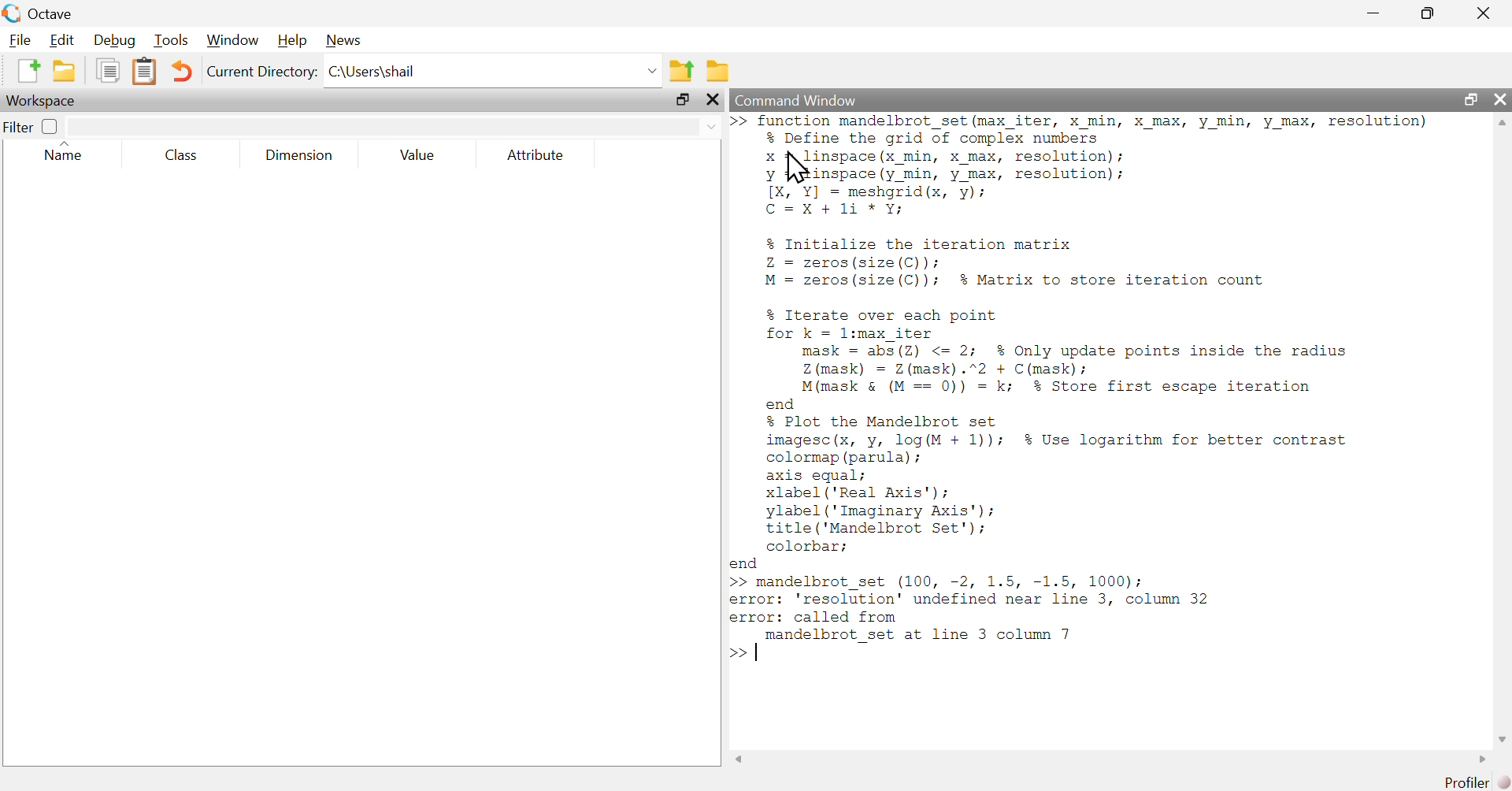  What do you see at coordinates (680, 69) in the screenshot?
I see `one directory up` at bounding box center [680, 69].